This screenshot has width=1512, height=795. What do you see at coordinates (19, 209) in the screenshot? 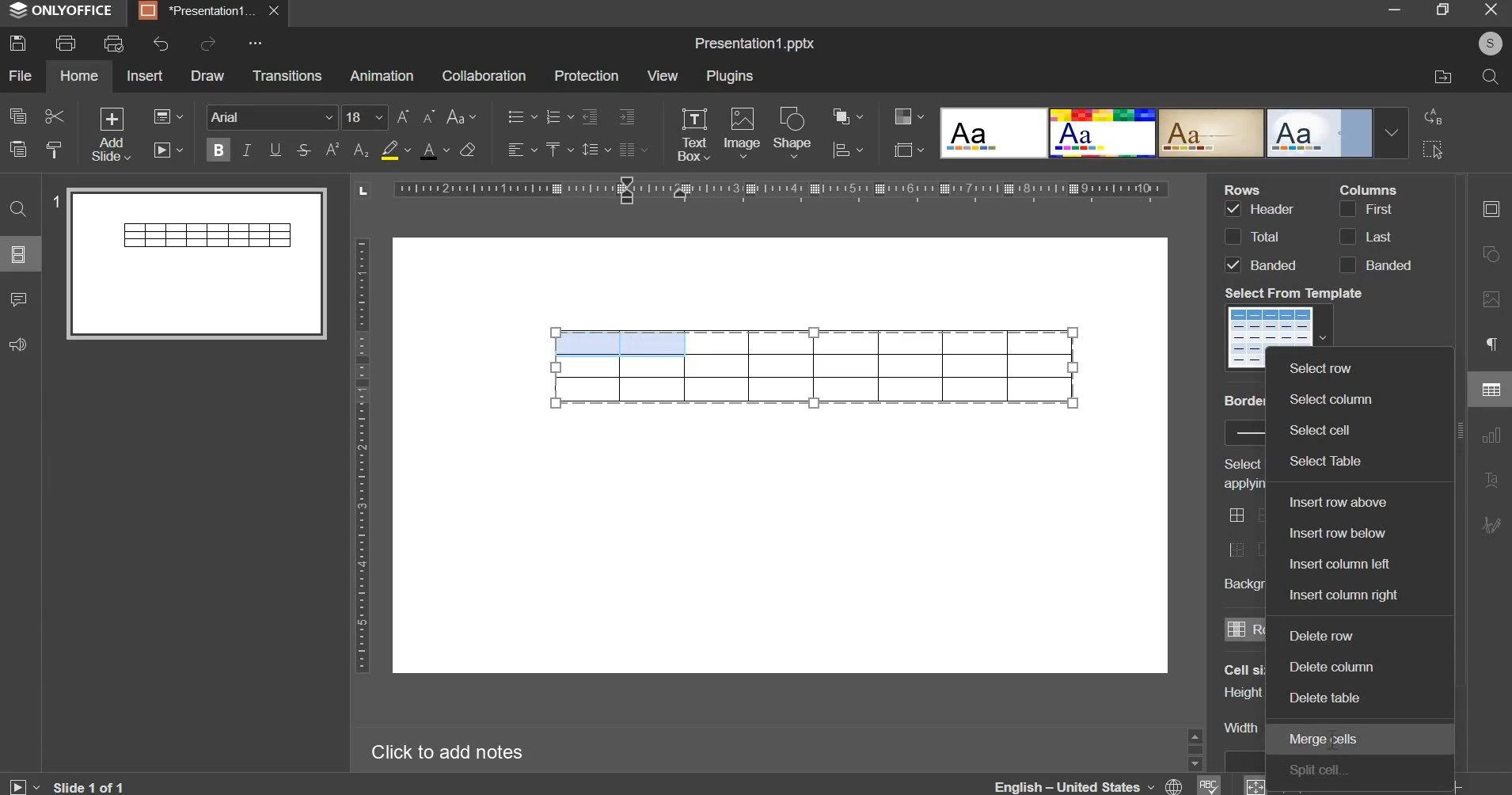
I see `find` at bounding box center [19, 209].